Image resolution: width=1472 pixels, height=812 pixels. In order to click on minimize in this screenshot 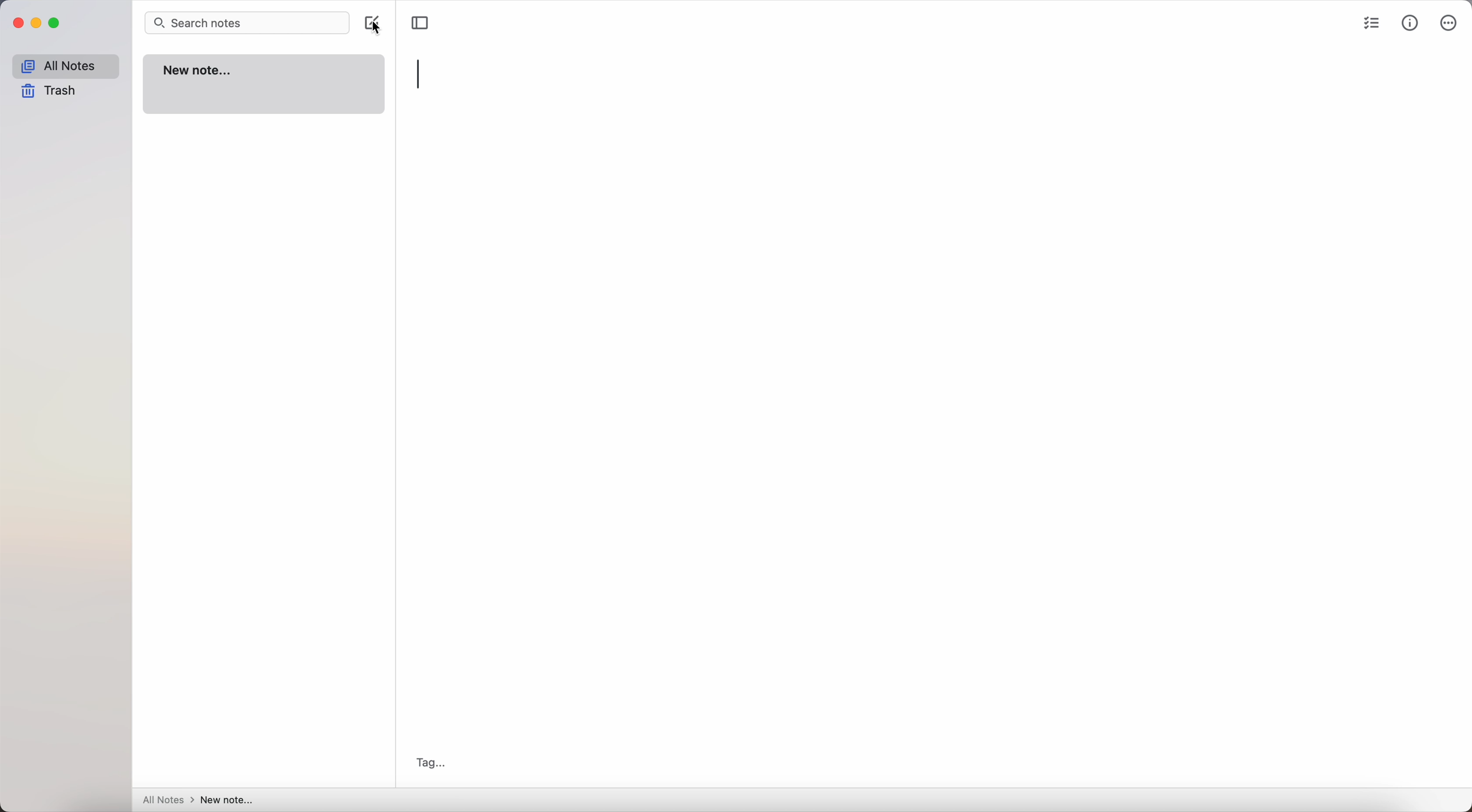, I will do `click(39, 23)`.